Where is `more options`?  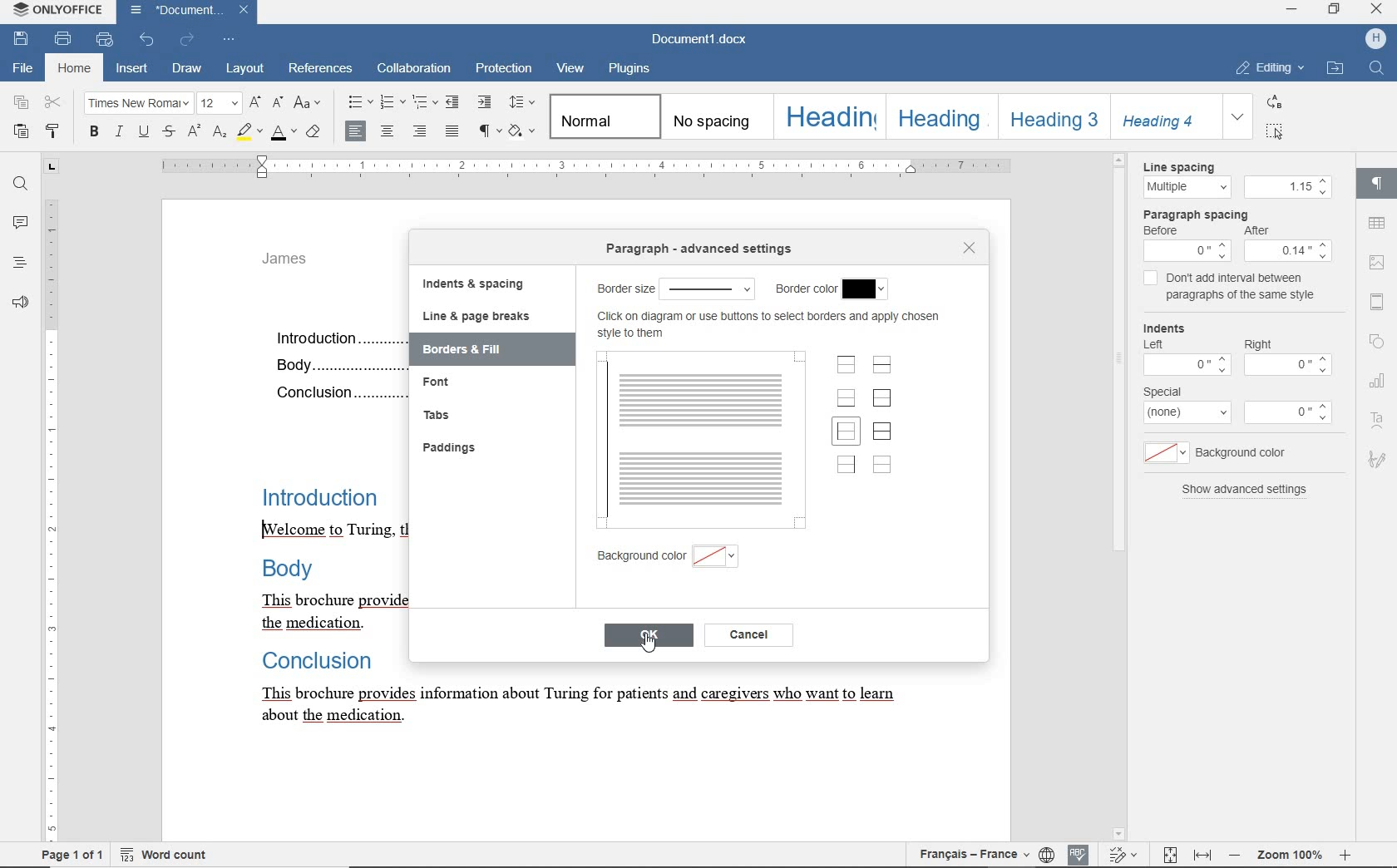
more options is located at coordinates (1185, 363).